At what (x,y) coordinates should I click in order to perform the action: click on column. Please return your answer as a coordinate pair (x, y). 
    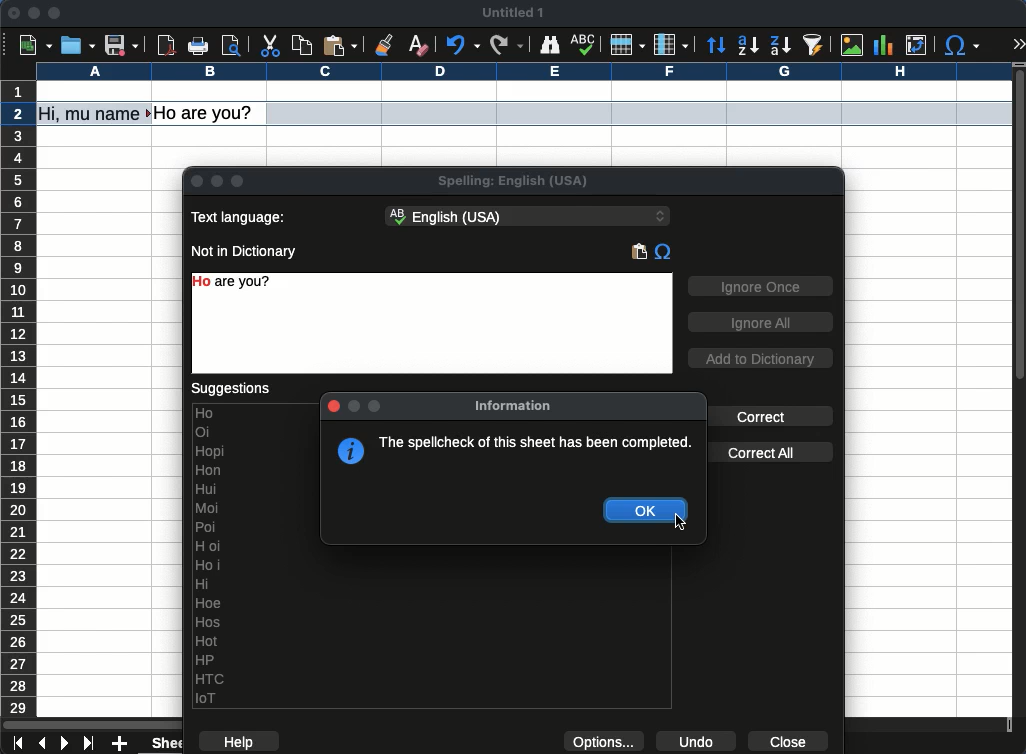
    Looking at the image, I should click on (523, 71).